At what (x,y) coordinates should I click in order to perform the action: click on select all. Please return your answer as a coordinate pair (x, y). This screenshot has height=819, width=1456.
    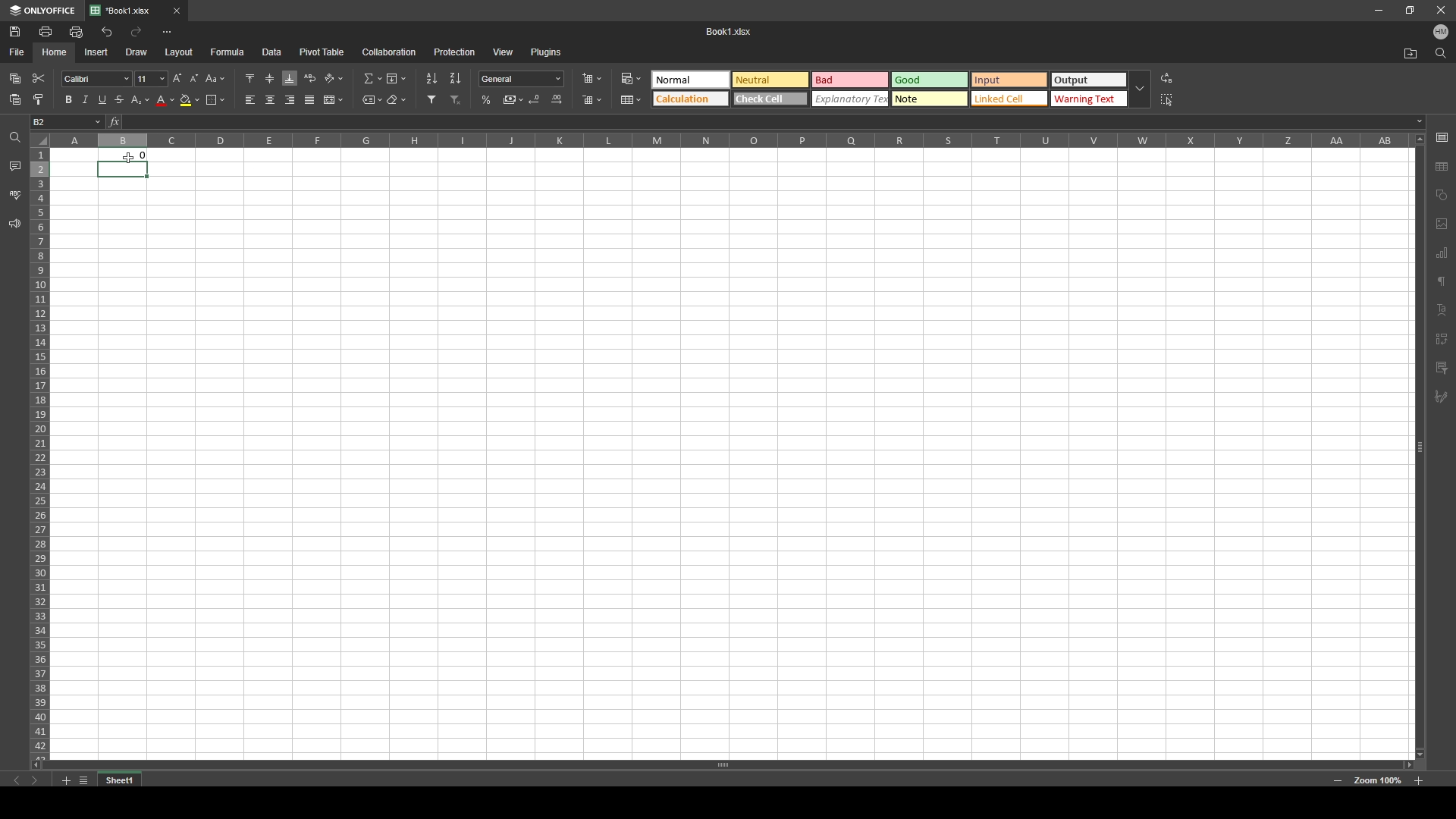
    Looking at the image, I should click on (1168, 100).